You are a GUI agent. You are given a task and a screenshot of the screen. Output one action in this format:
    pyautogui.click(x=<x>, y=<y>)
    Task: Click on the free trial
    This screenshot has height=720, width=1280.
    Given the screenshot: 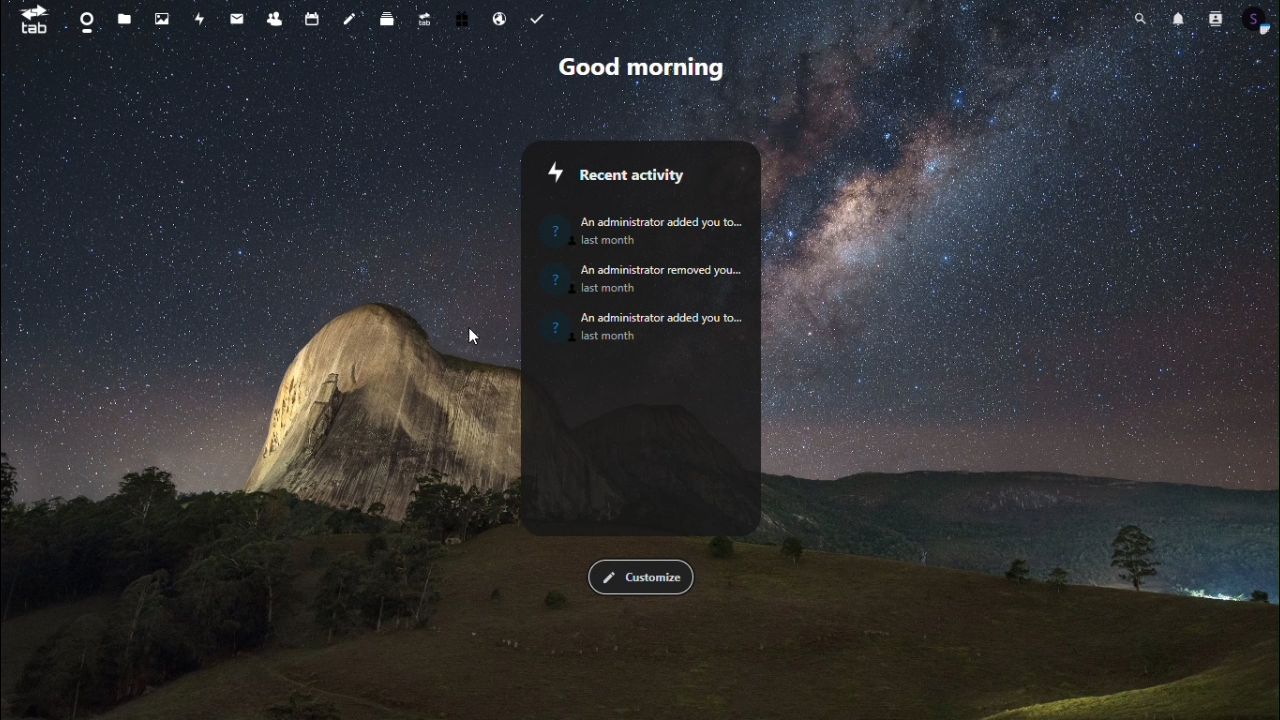 What is the action you would take?
    pyautogui.click(x=463, y=27)
    